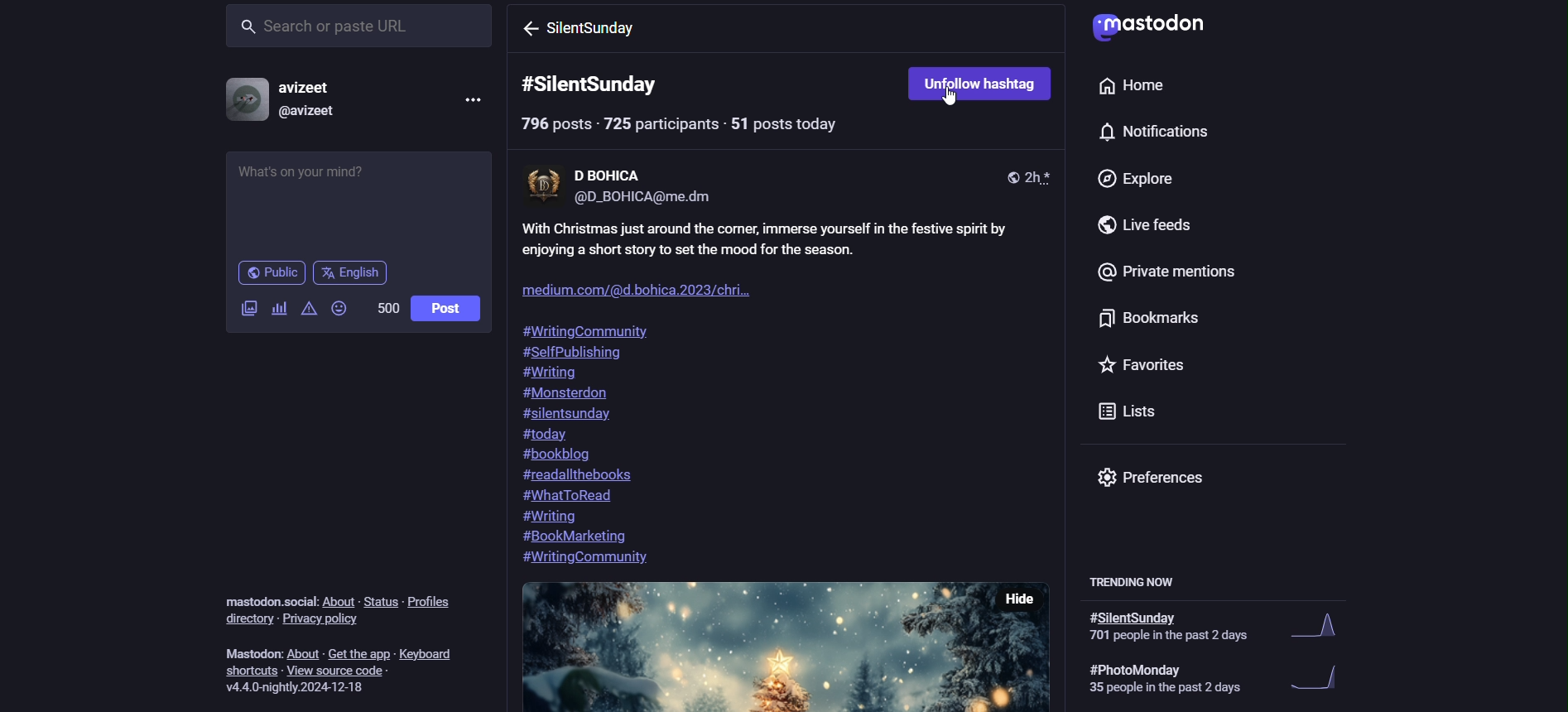  I want to click on add poll, so click(280, 307).